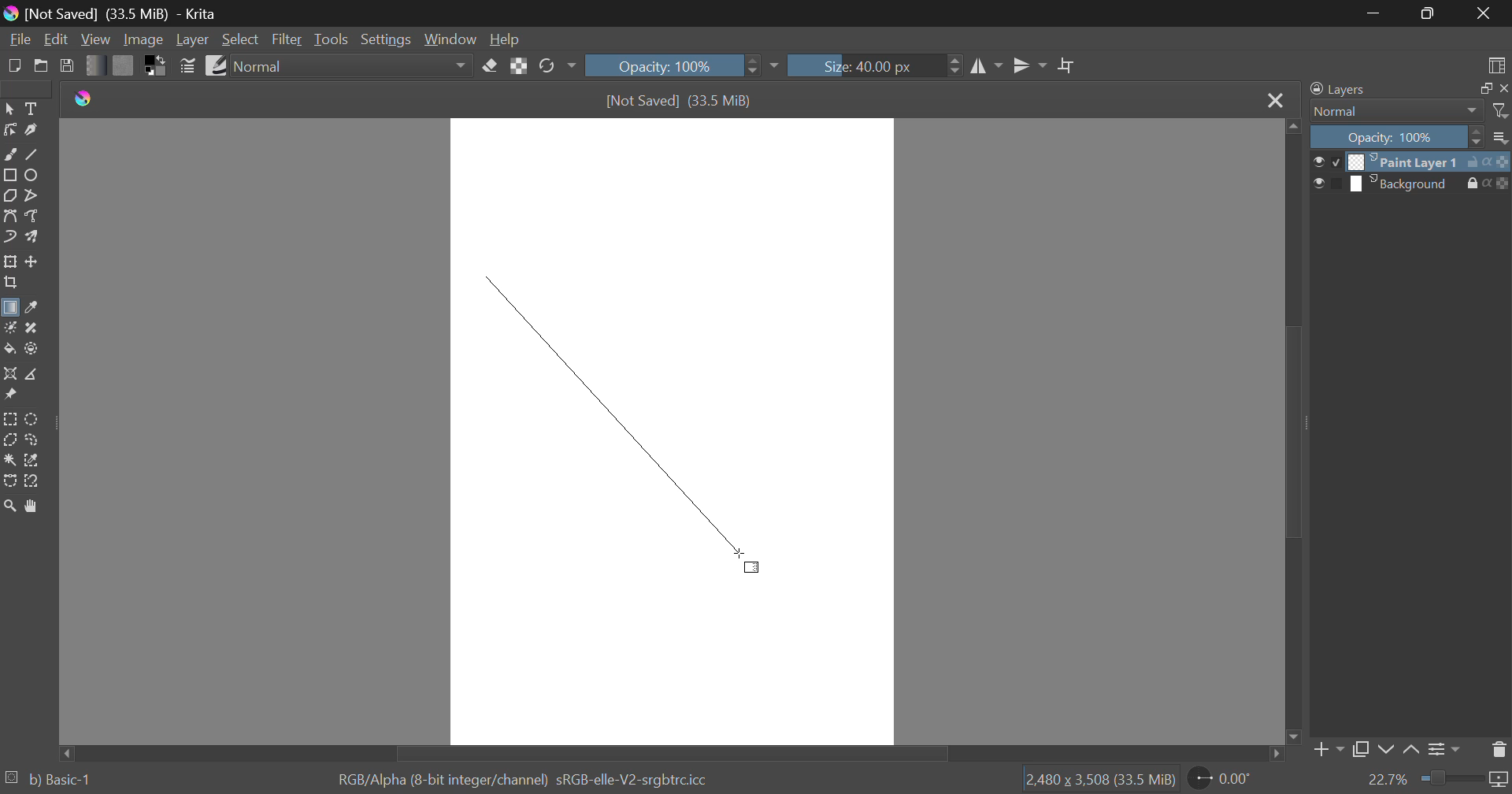 This screenshot has width=1512, height=794. I want to click on Bezier Curve Selection, so click(9, 479).